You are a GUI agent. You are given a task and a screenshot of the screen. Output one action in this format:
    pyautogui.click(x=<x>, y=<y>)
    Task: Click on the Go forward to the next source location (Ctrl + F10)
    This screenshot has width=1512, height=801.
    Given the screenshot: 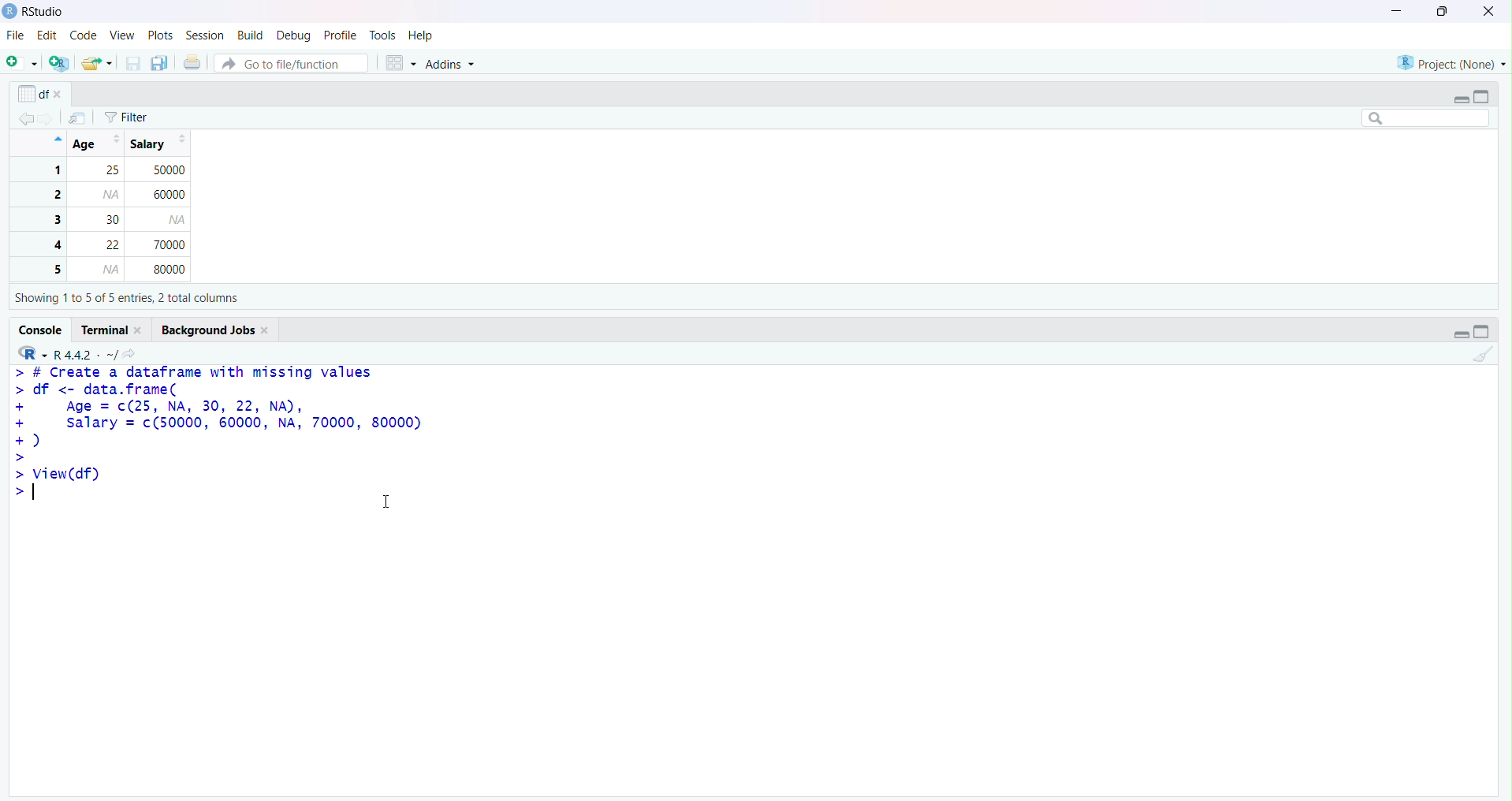 What is the action you would take?
    pyautogui.click(x=50, y=118)
    